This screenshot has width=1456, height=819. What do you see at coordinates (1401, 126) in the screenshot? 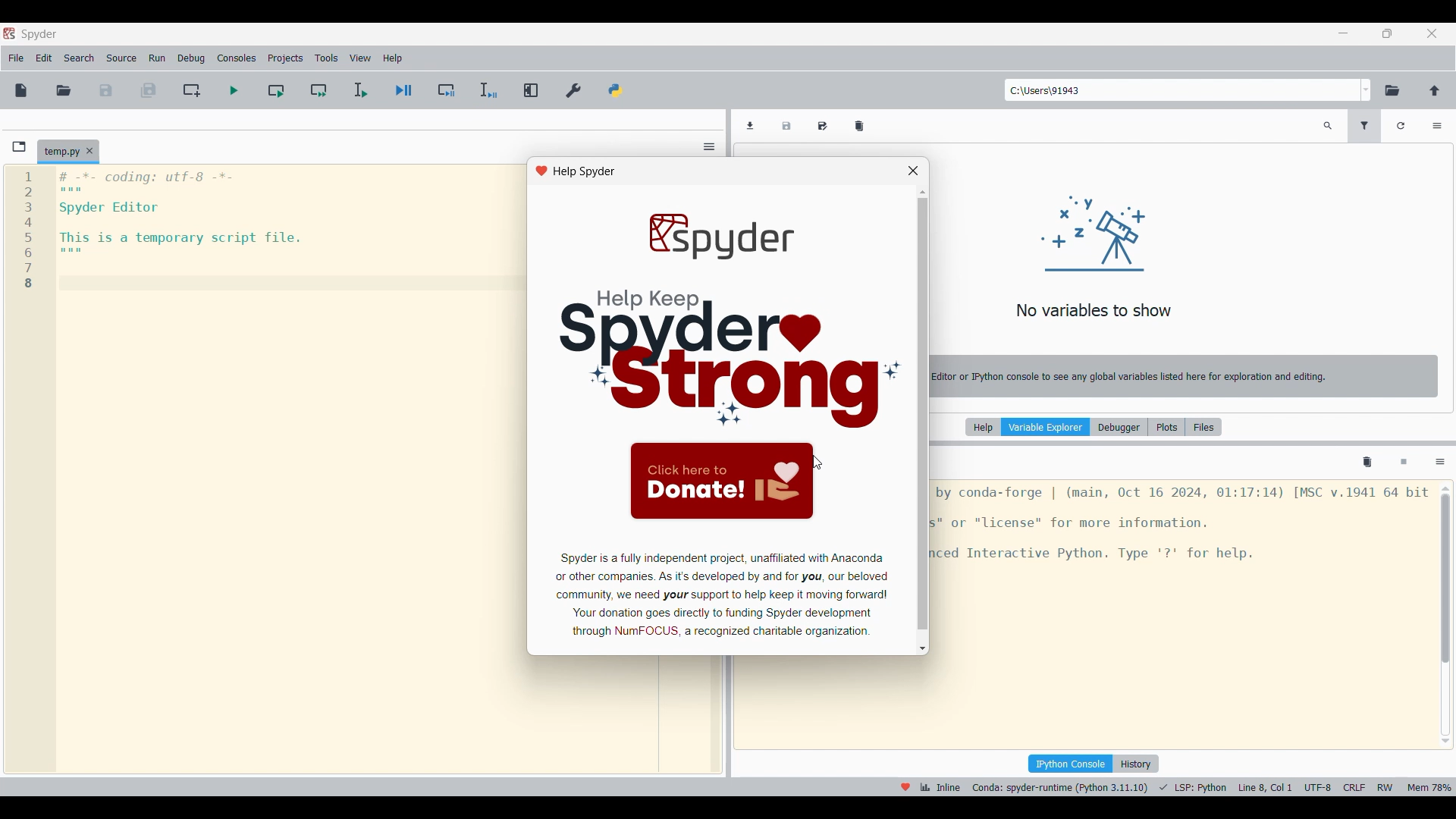
I see `Refresh variables` at bounding box center [1401, 126].